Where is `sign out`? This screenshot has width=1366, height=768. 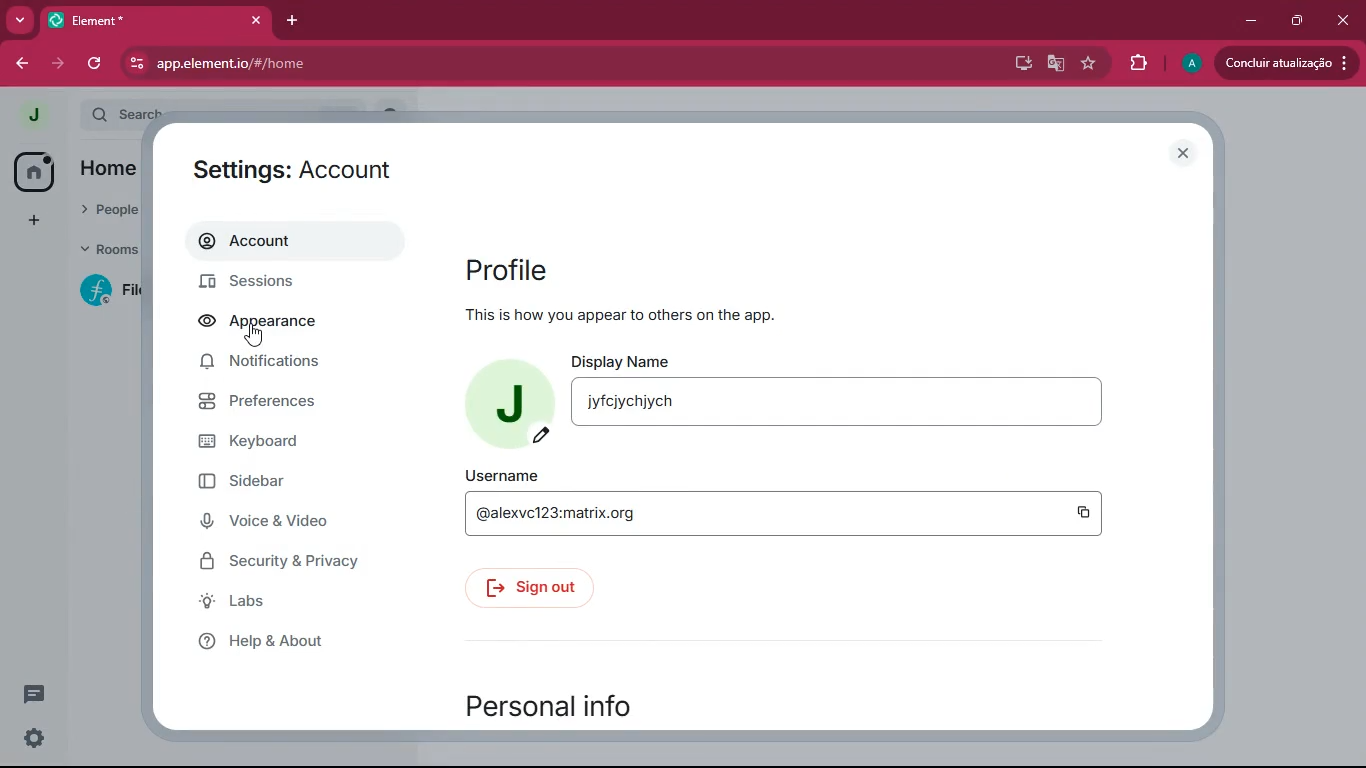
sign out is located at coordinates (534, 586).